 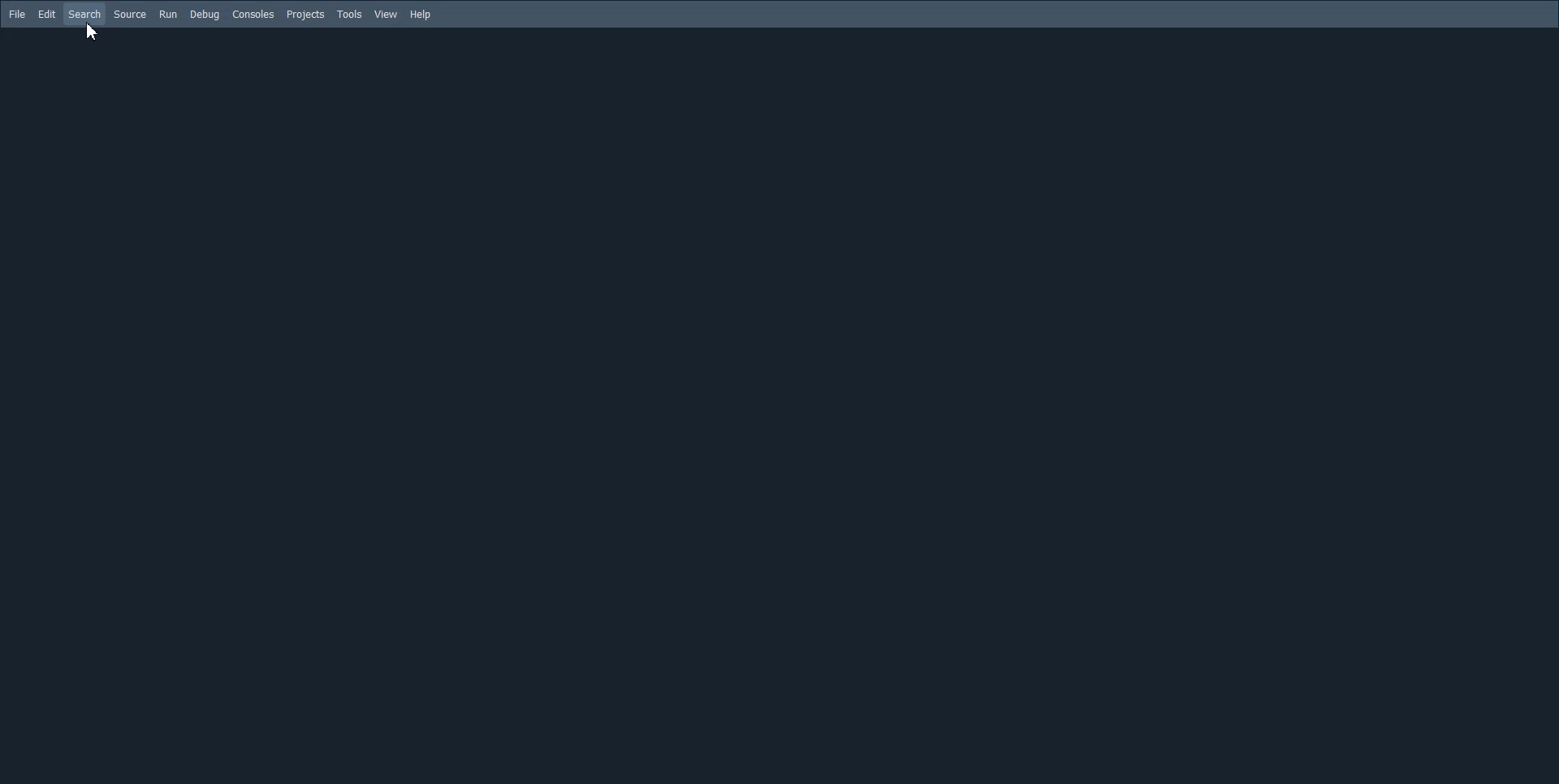 I want to click on Debug, so click(x=205, y=14).